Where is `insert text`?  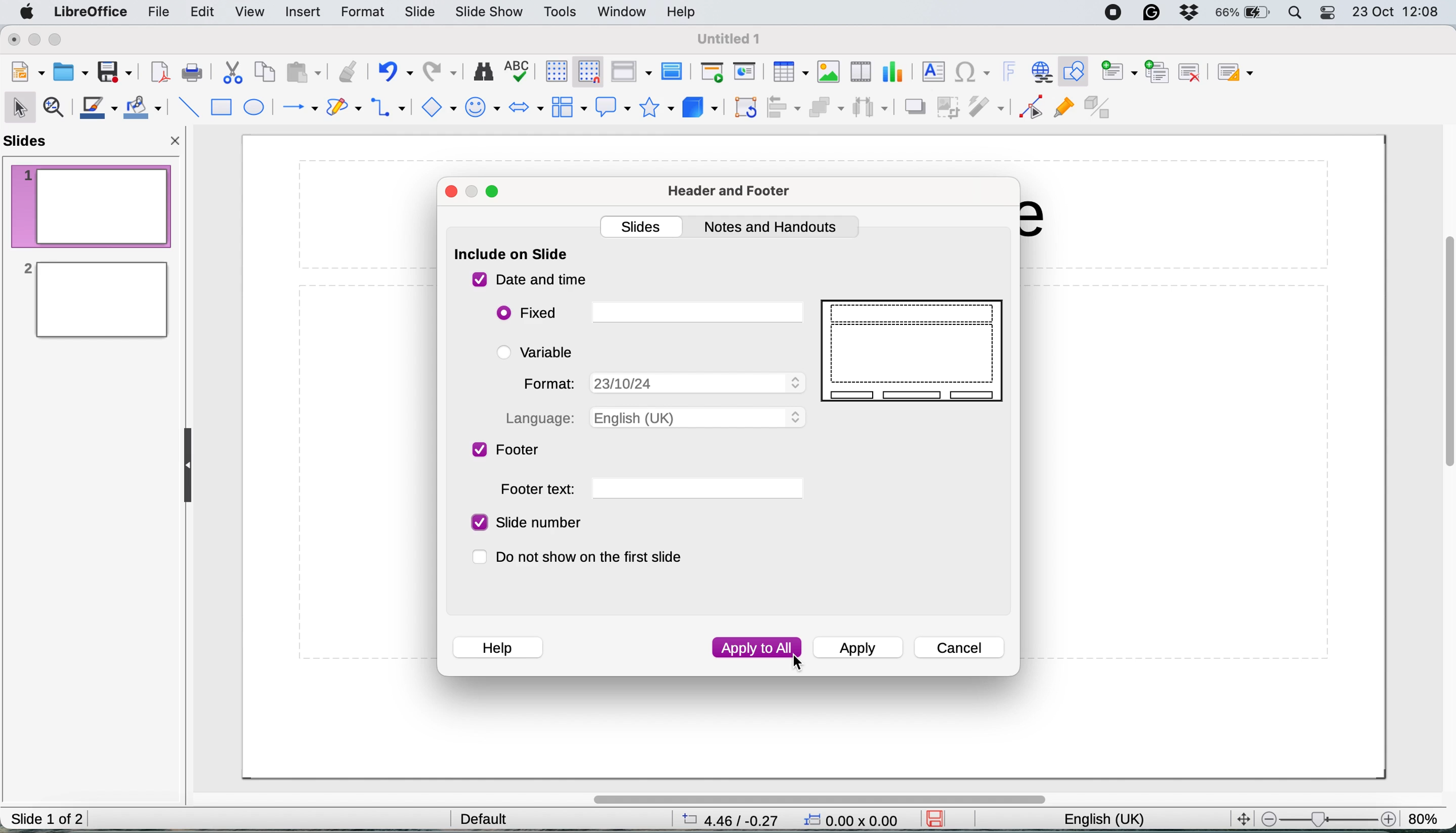
insert text is located at coordinates (931, 71).